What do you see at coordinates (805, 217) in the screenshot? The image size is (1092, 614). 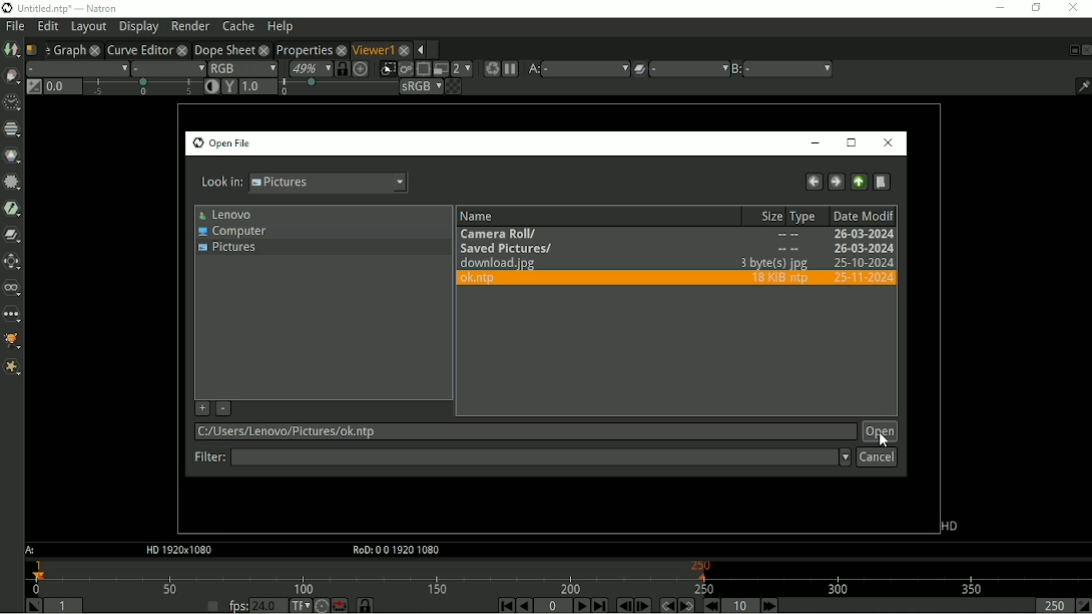 I see `Type` at bounding box center [805, 217].